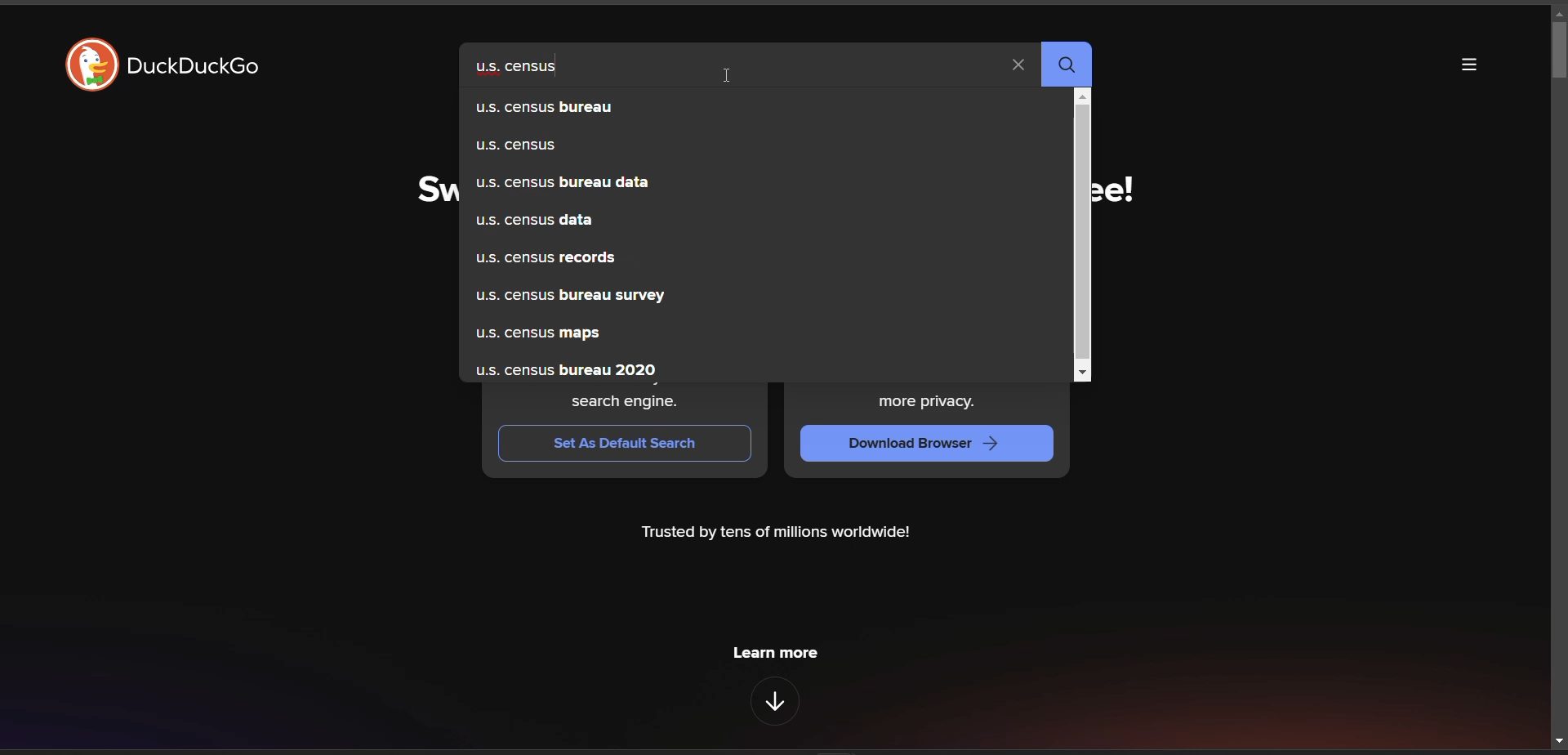 The width and height of the screenshot is (1568, 755). I want to click on u.s. census bureau 2020, so click(744, 367).